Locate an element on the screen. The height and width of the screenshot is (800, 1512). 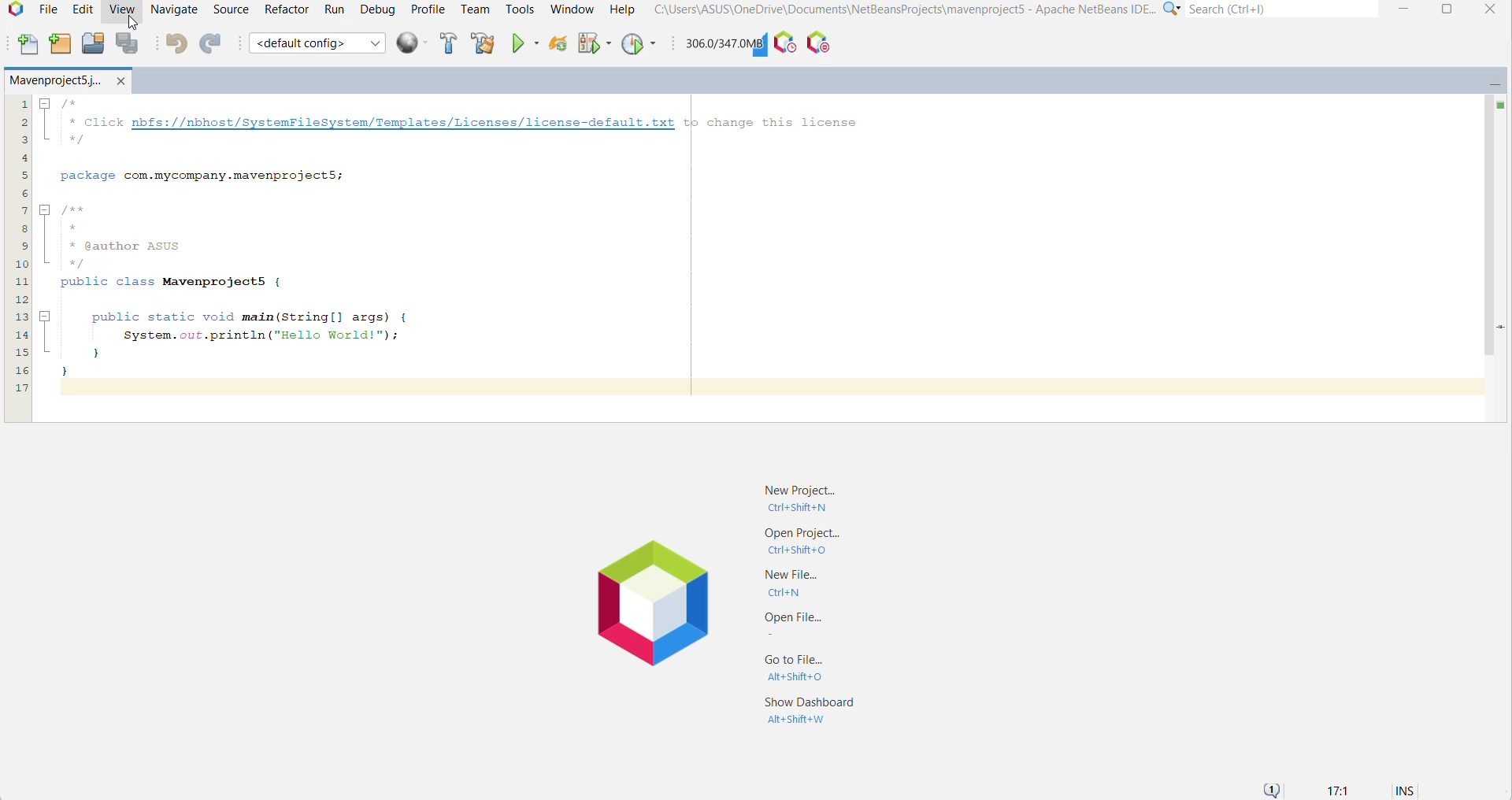
Minimize Window is located at coordinates (1493, 82).